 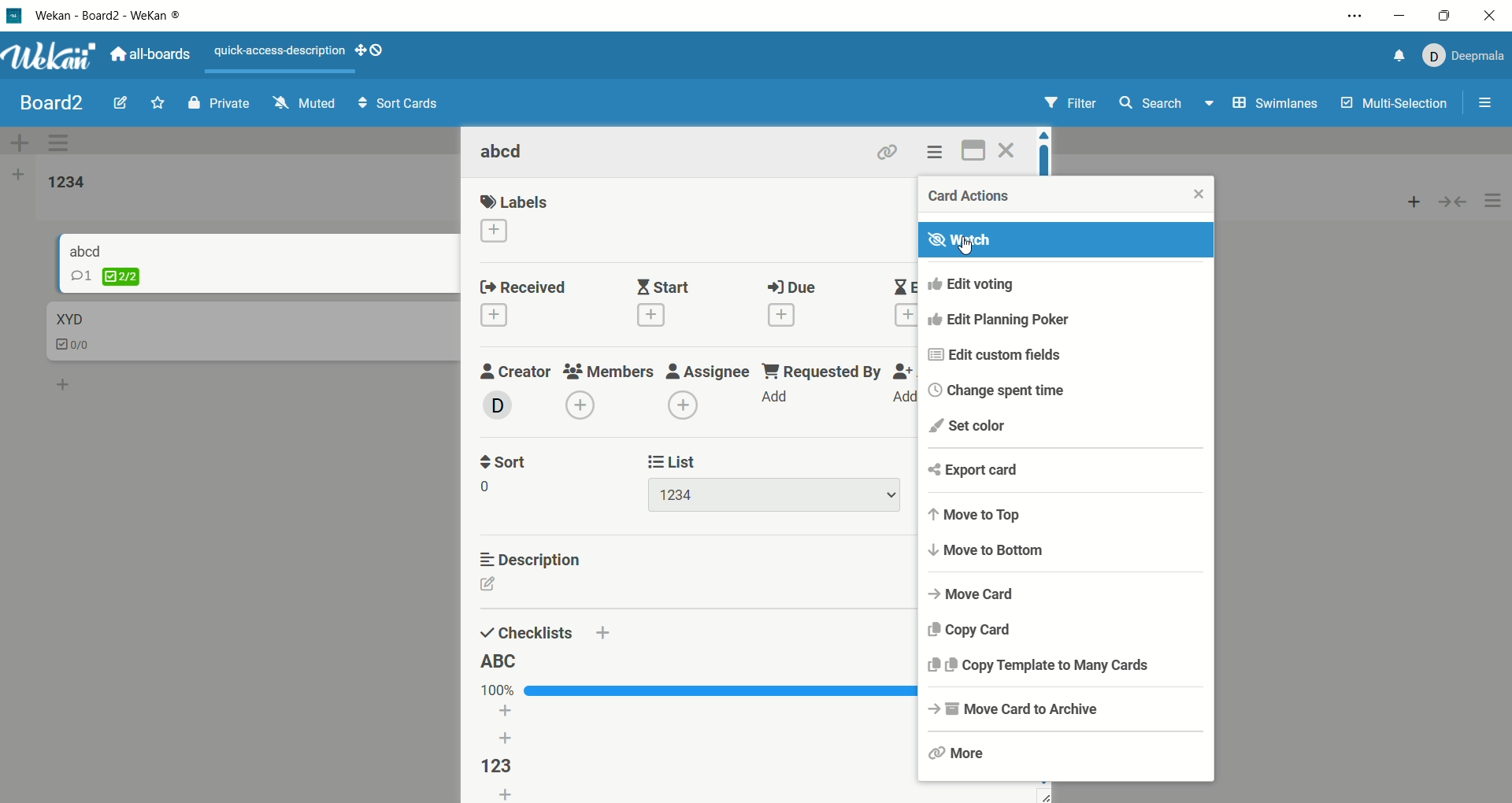 What do you see at coordinates (63, 142) in the screenshot?
I see `swimlane actions` at bounding box center [63, 142].